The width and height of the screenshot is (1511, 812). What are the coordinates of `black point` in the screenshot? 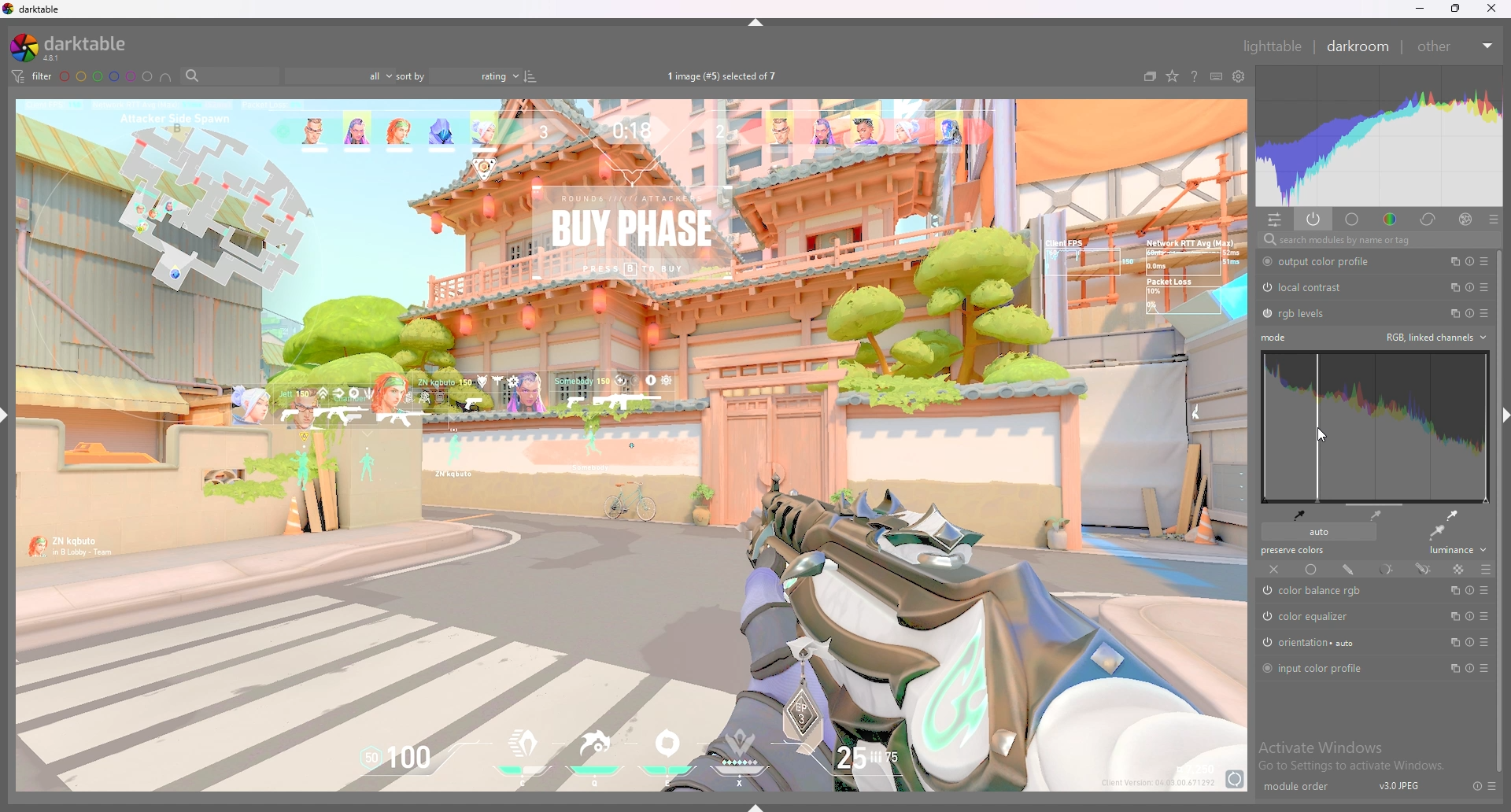 It's located at (1299, 514).